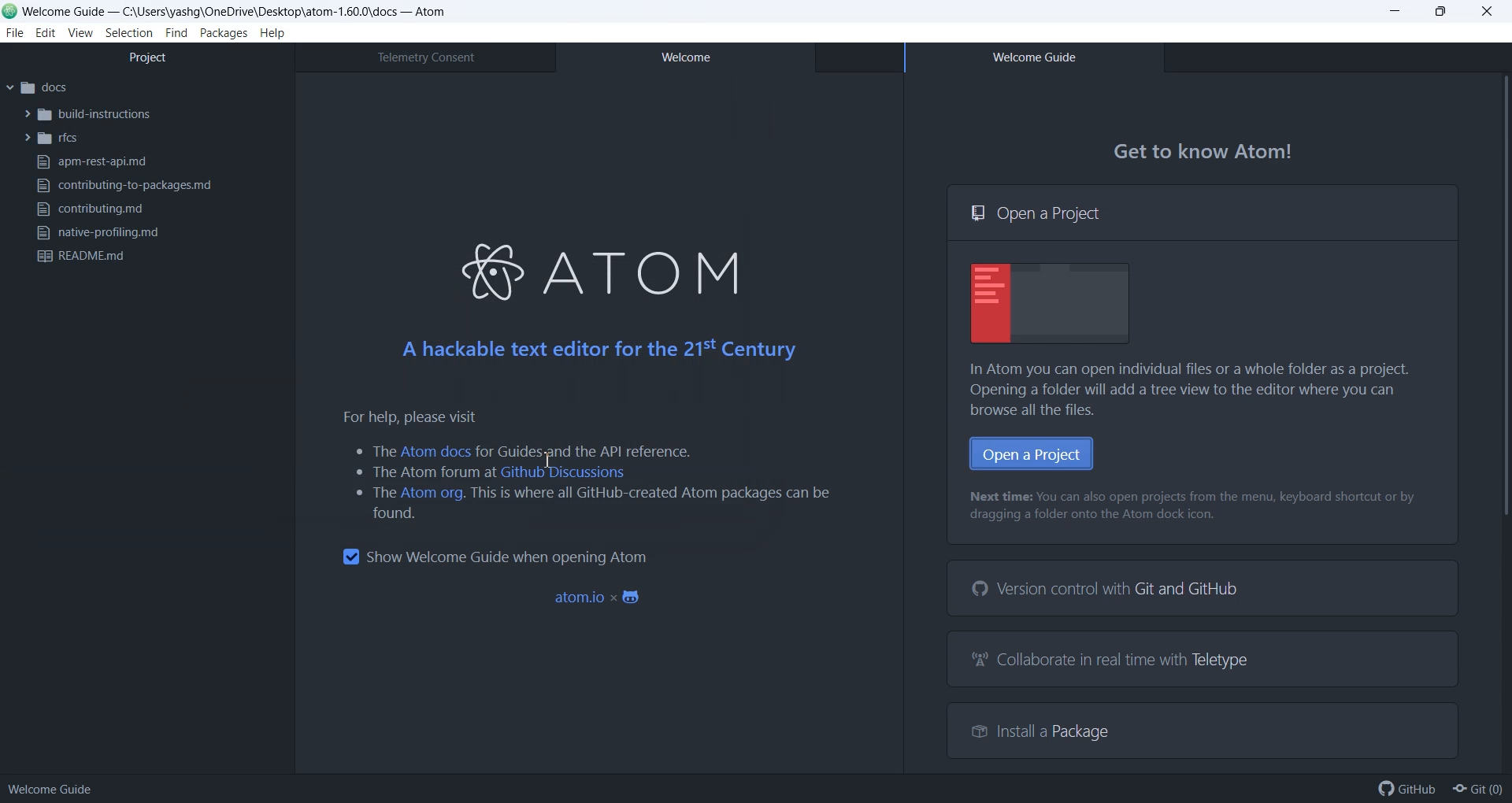 This screenshot has width=1512, height=803. I want to click on Open a Project, so click(1203, 213).